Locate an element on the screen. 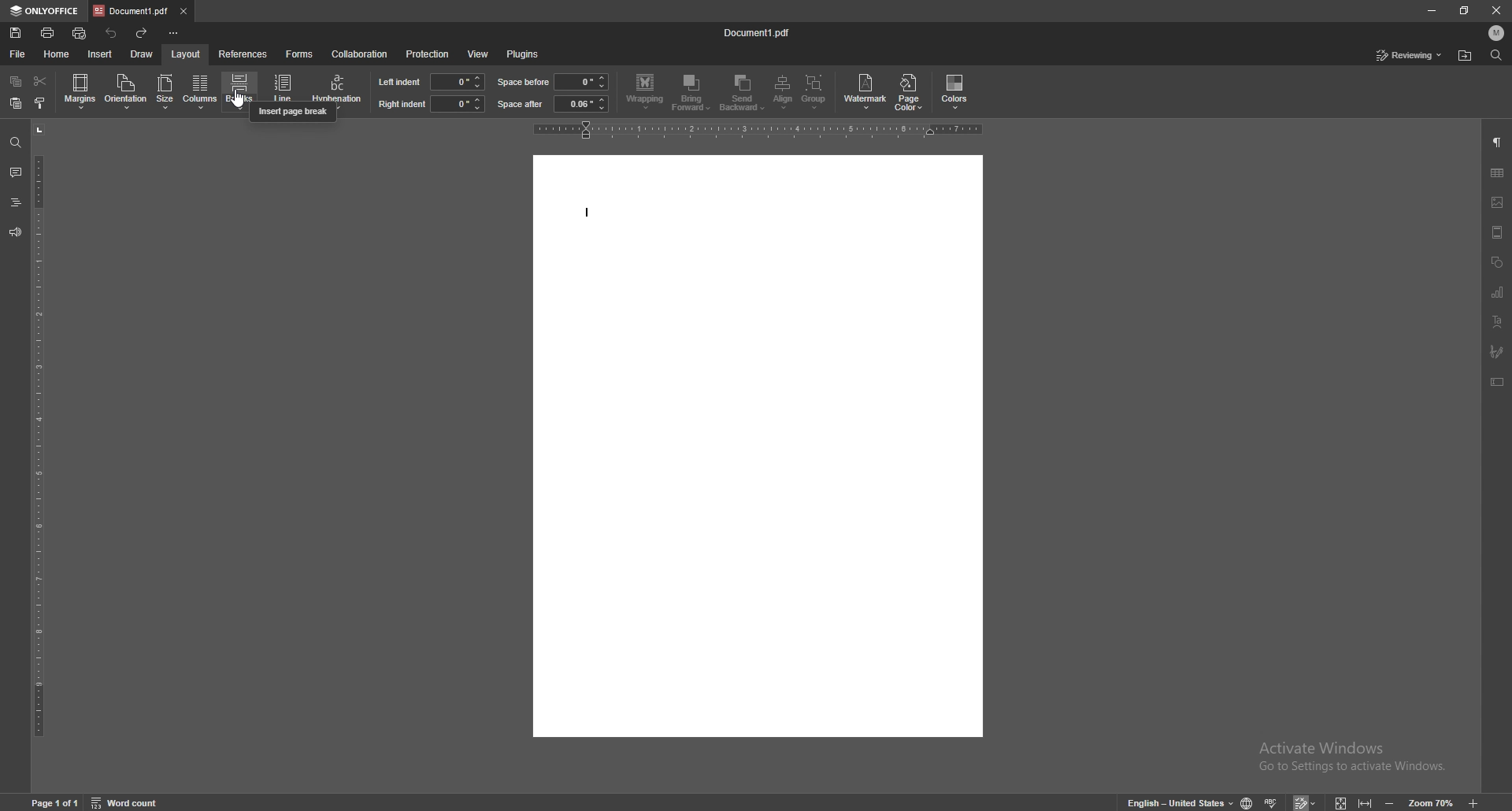 This screenshot has height=811, width=1512. layout is located at coordinates (187, 53).